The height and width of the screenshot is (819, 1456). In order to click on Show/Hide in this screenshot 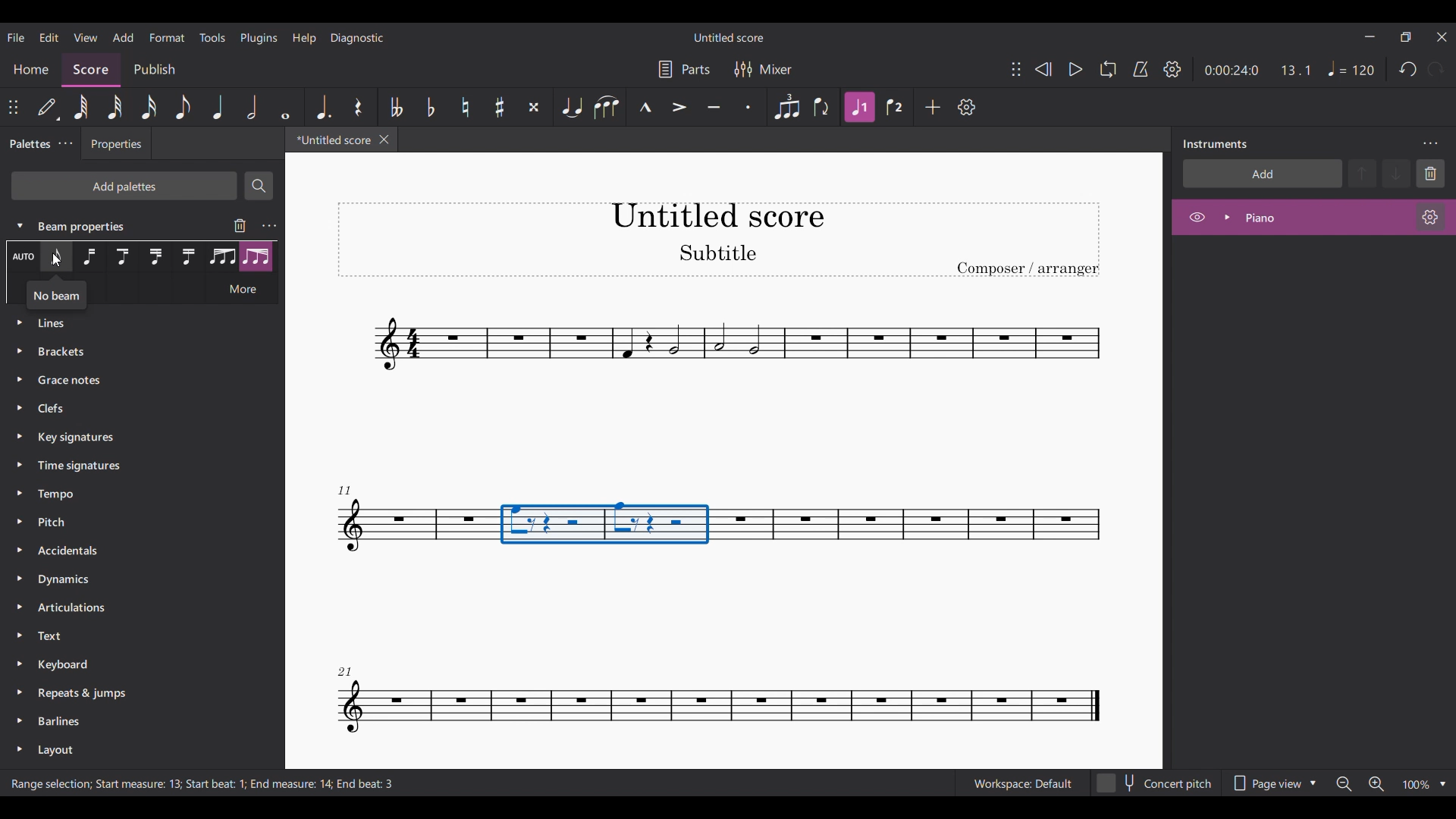, I will do `click(1197, 218)`.